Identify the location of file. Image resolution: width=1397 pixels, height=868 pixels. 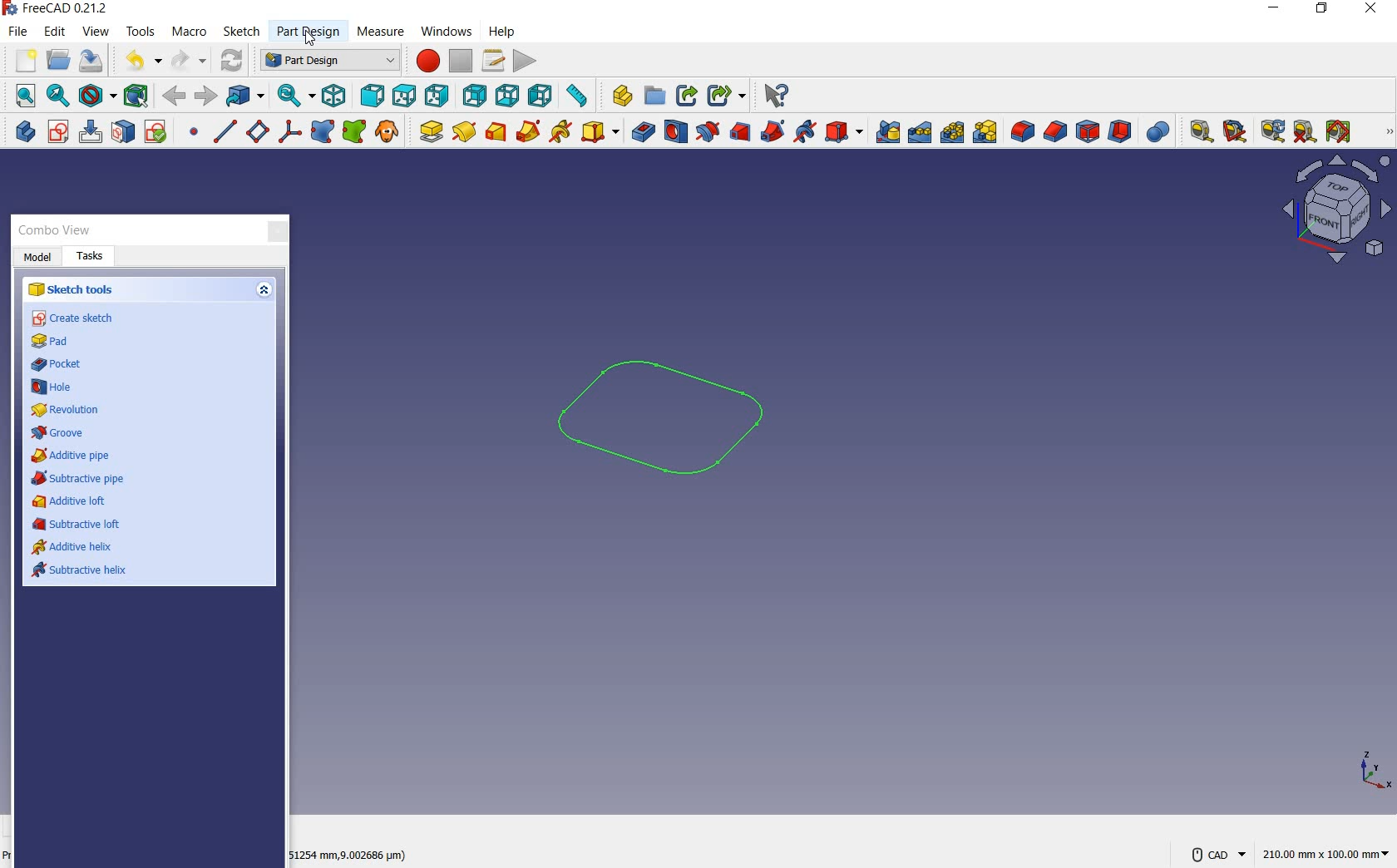
(17, 32).